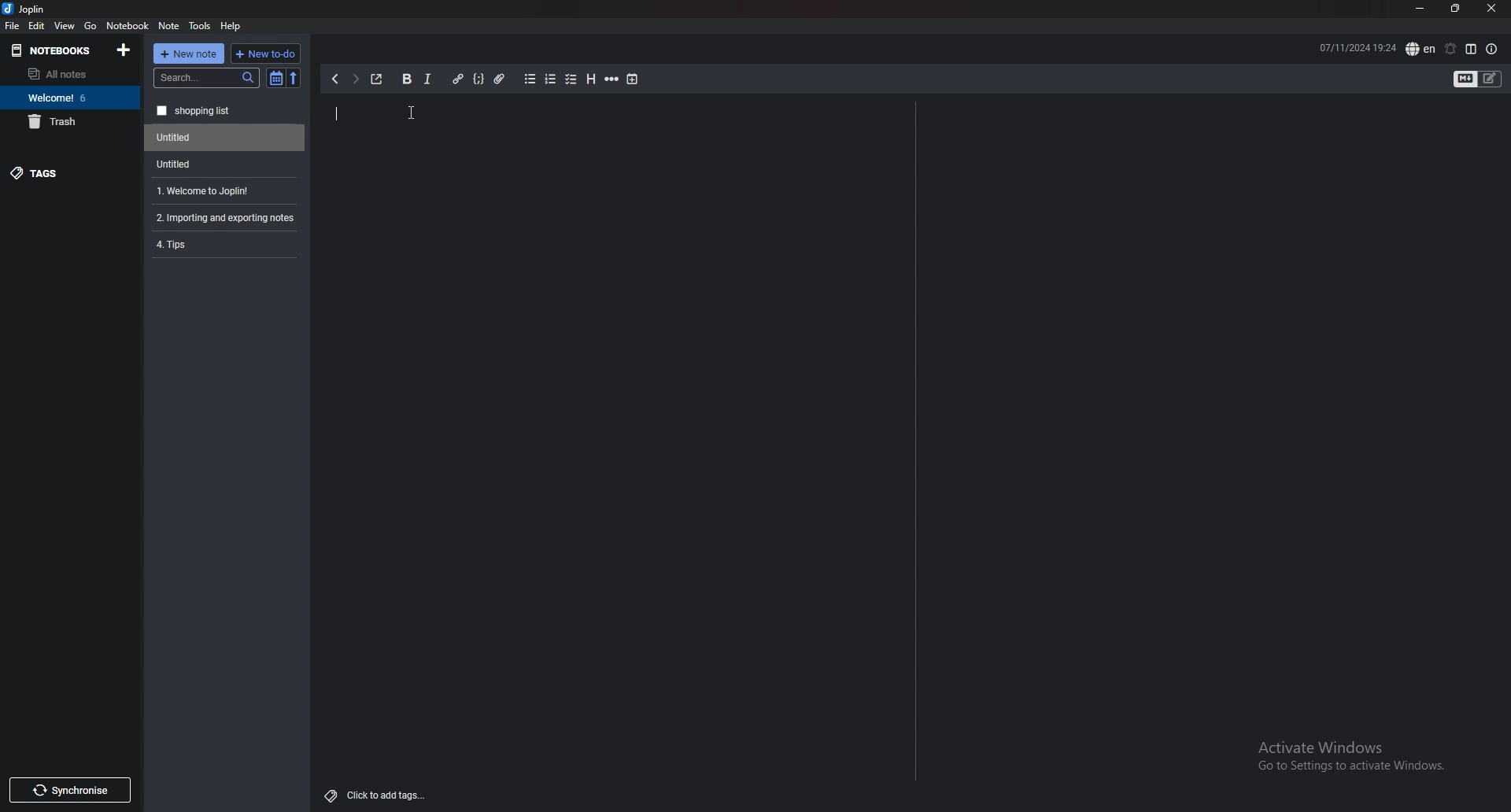 This screenshot has width=1511, height=812. Describe the element at coordinates (500, 79) in the screenshot. I see `attachment` at that location.